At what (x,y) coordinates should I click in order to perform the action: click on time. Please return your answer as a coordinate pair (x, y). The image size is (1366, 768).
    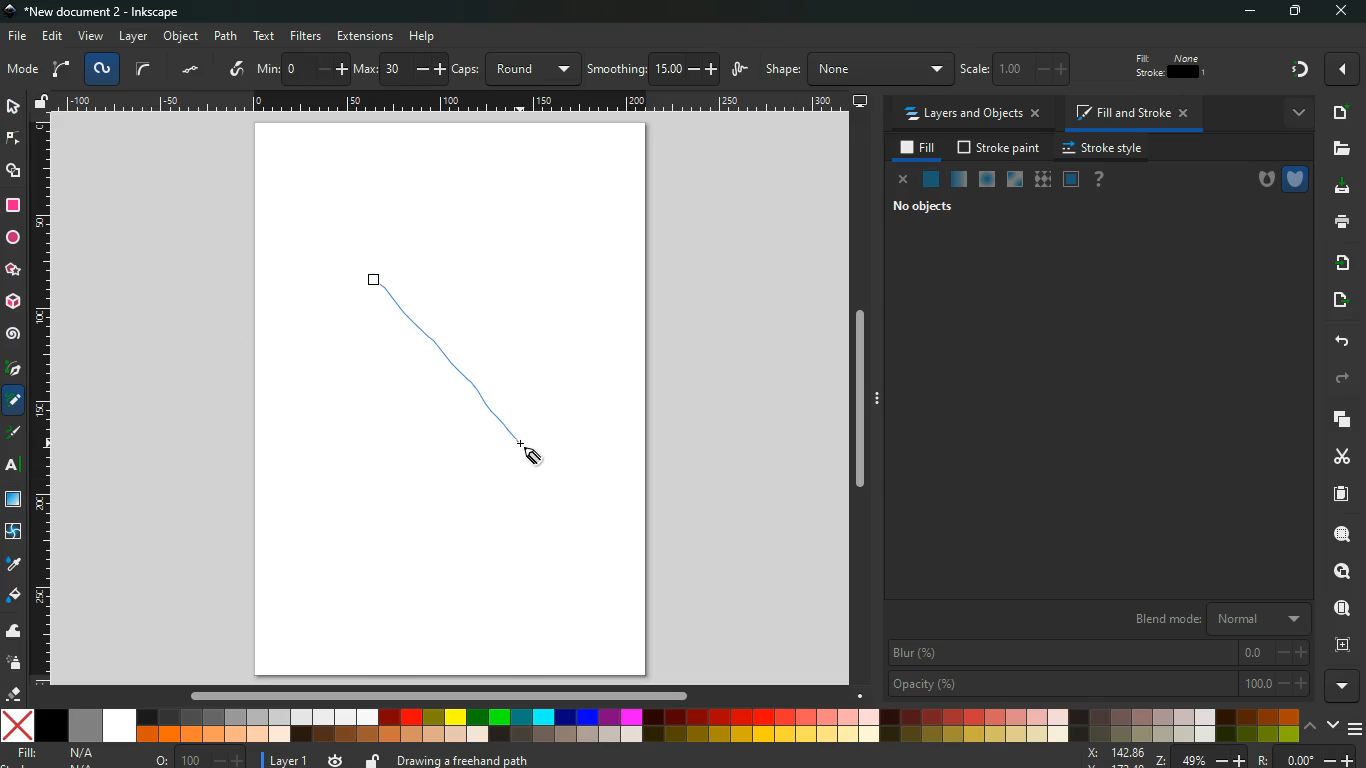
    Looking at the image, I should click on (337, 760).